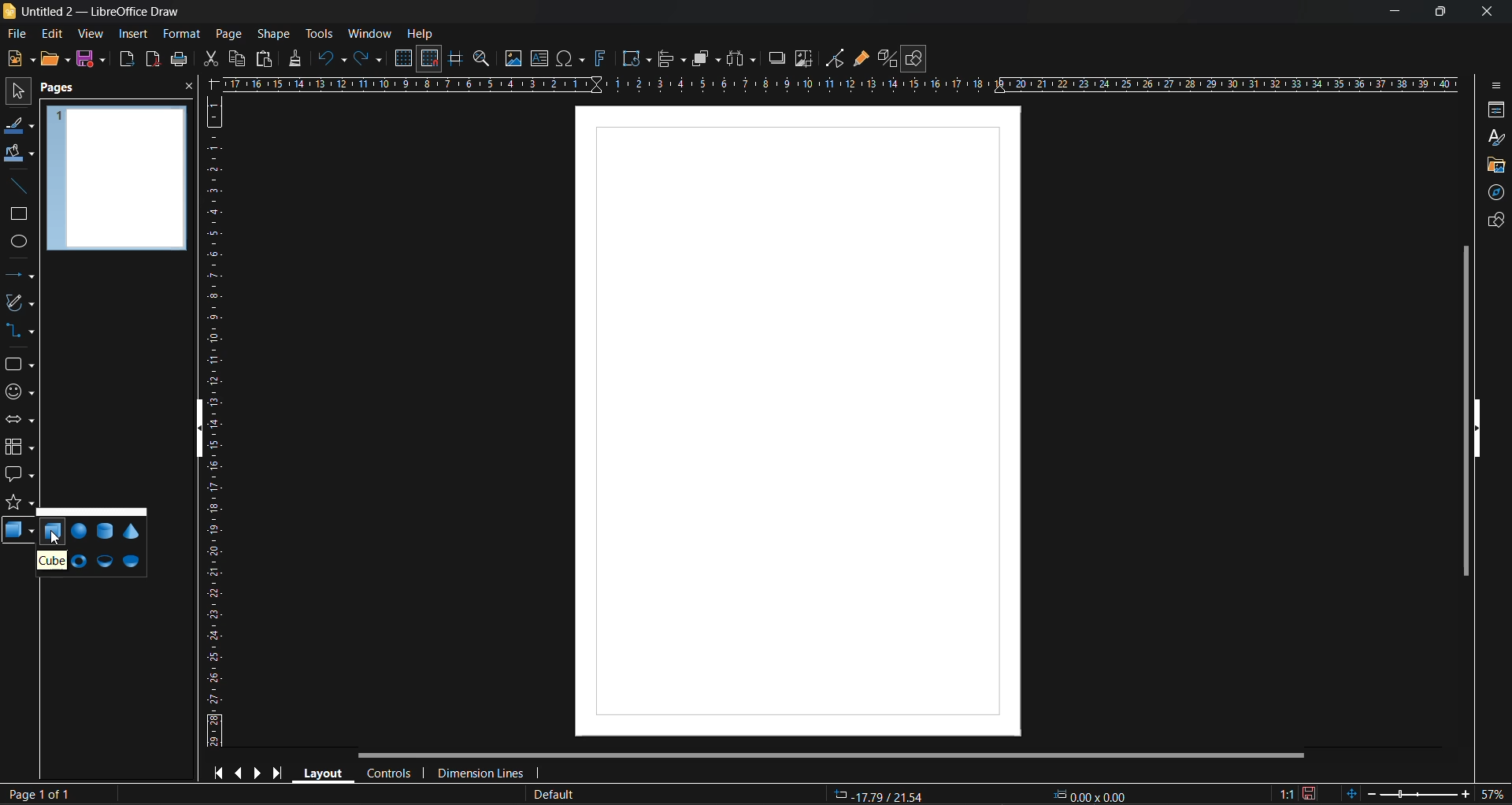 The height and width of the screenshot is (805, 1512). What do you see at coordinates (458, 61) in the screenshot?
I see `helplines` at bounding box center [458, 61].